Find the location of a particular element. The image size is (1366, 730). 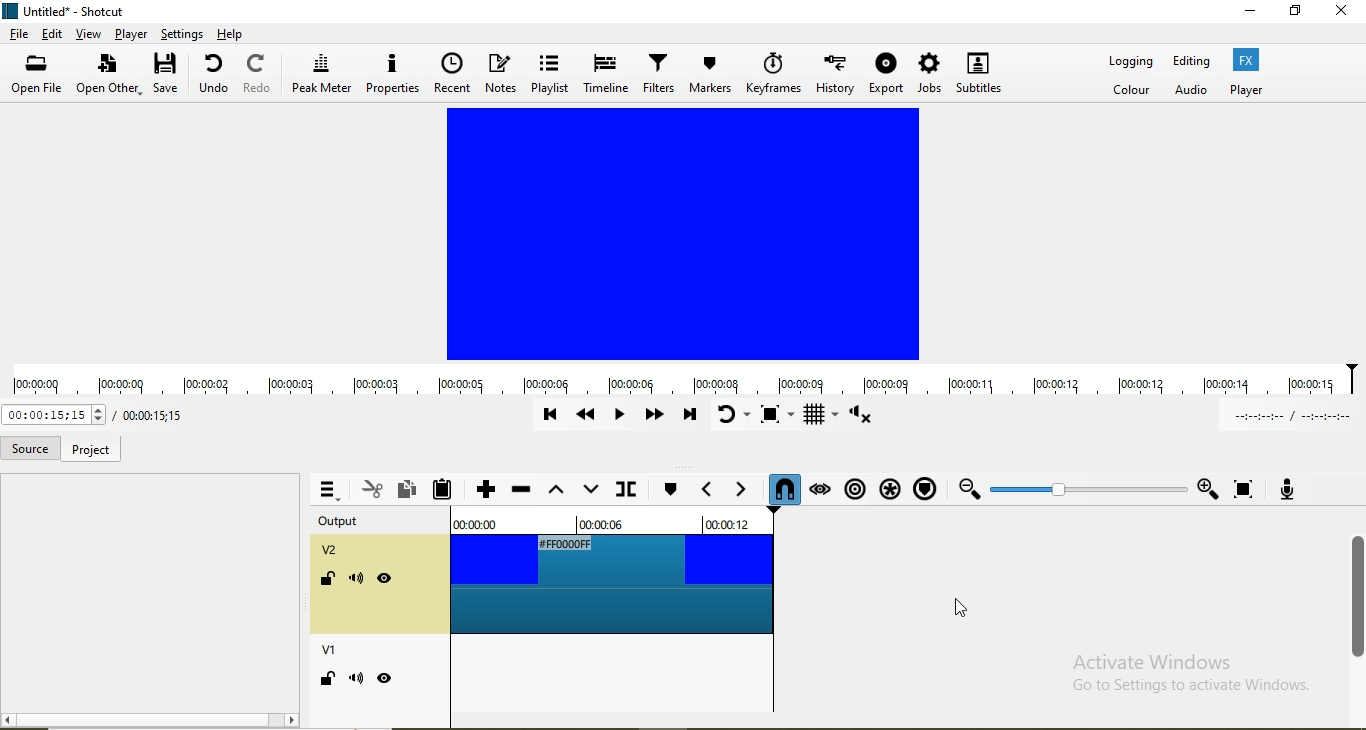

Skip to the next point  is located at coordinates (689, 416).